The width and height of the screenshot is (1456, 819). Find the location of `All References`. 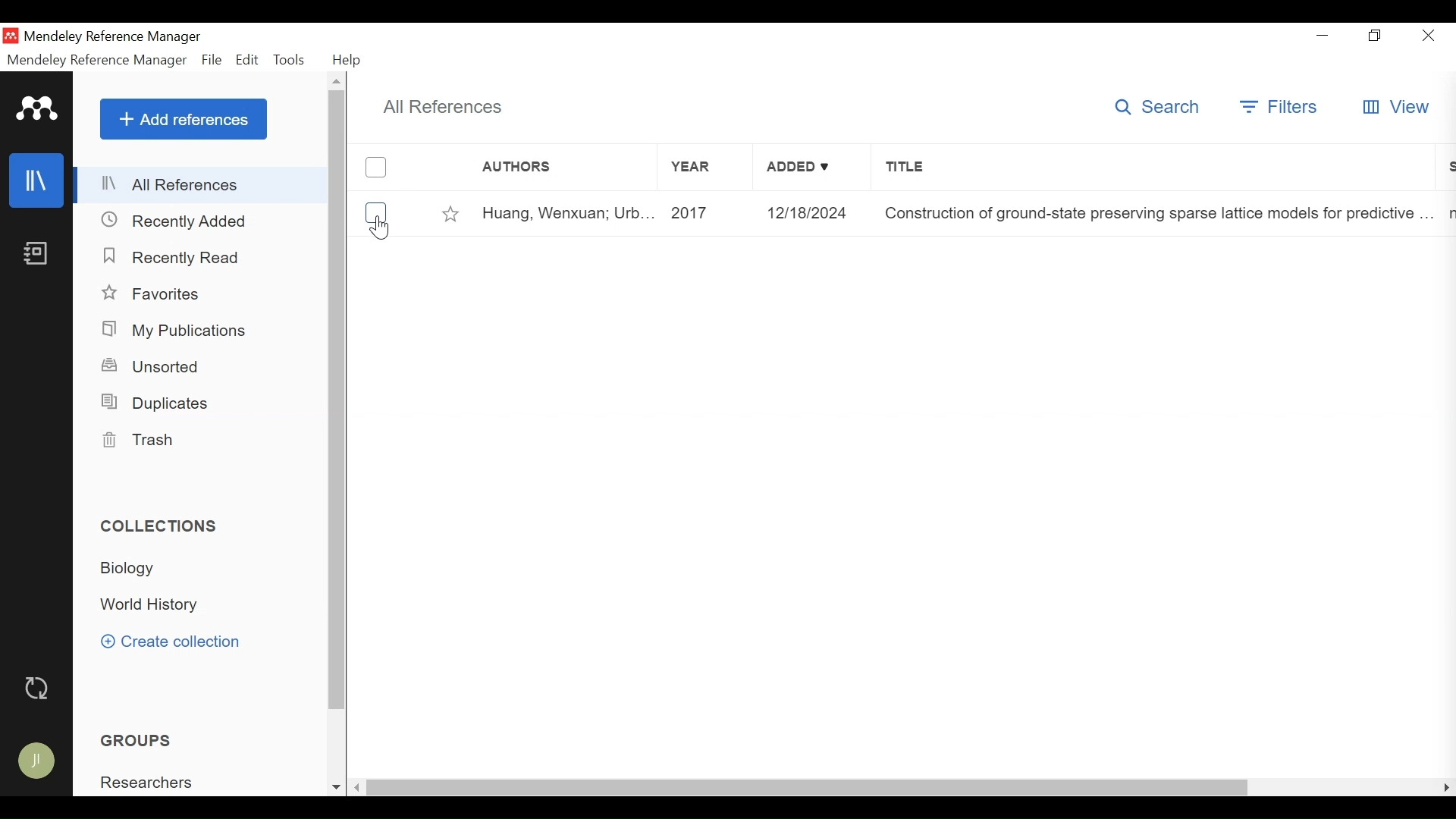

All References is located at coordinates (201, 186).